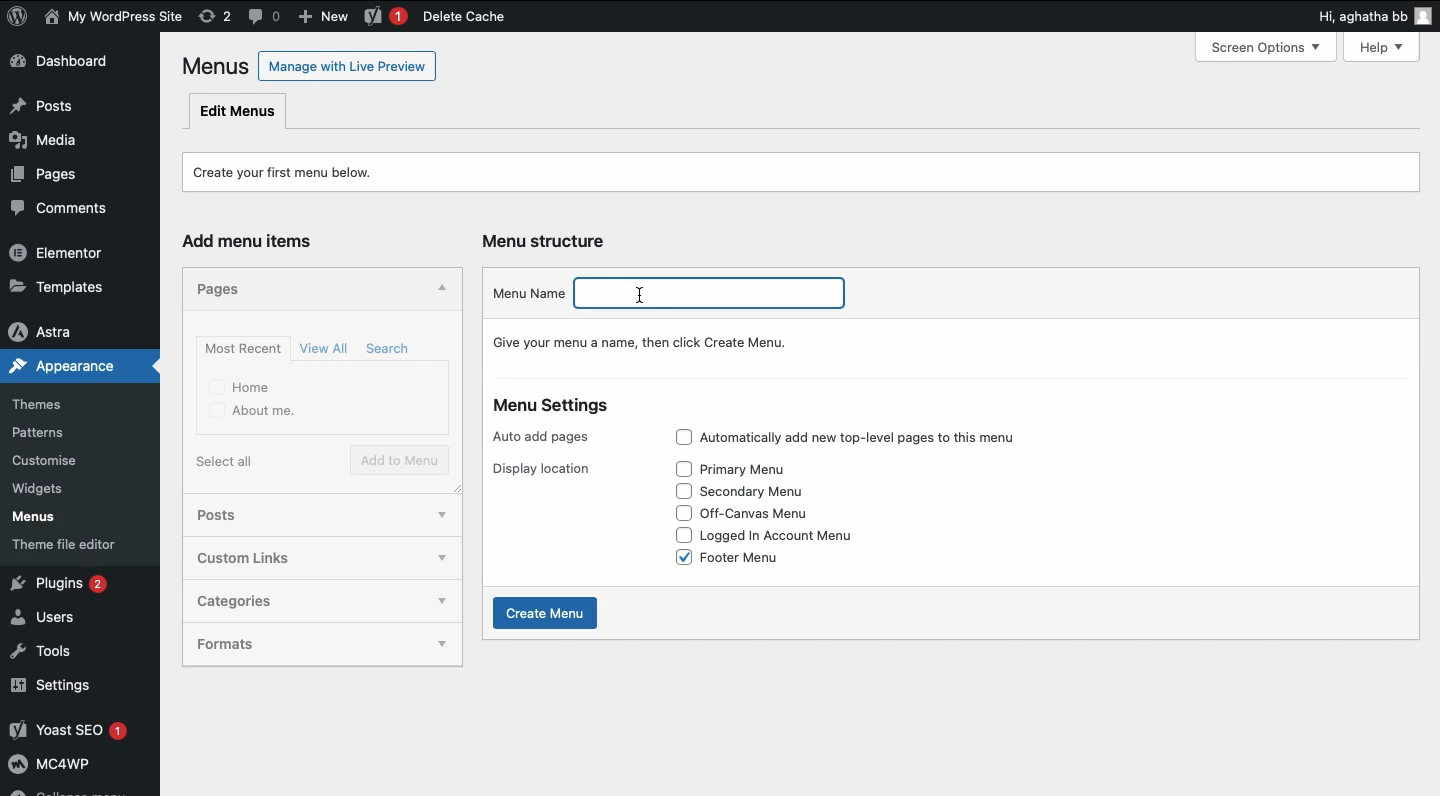  What do you see at coordinates (347, 65) in the screenshot?
I see `Manage with Live Preview` at bounding box center [347, 65].